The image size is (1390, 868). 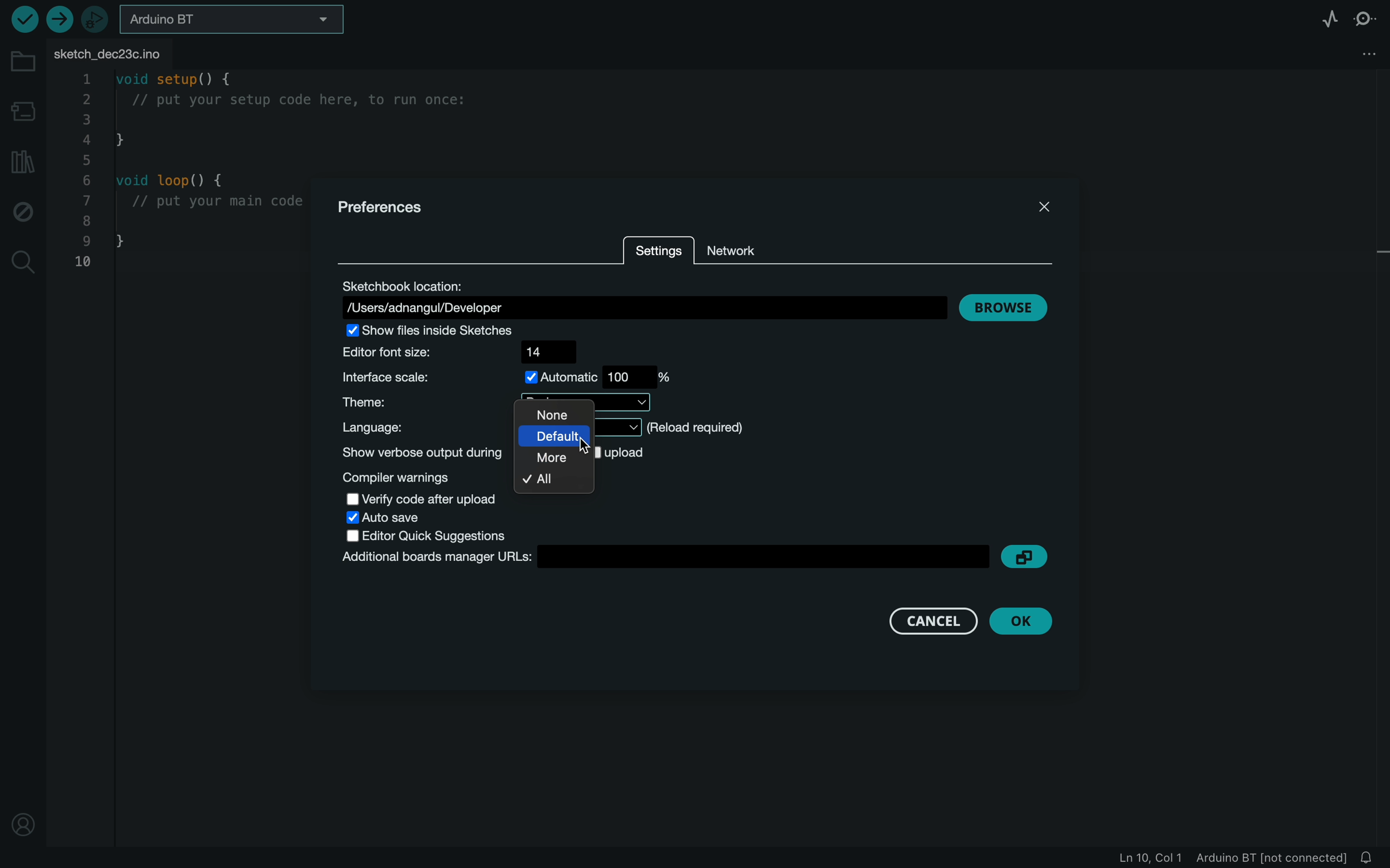 What do you see at coordinates (583, 446) in the screenshot?
I see `cursor` at bounding box center [583, 446].